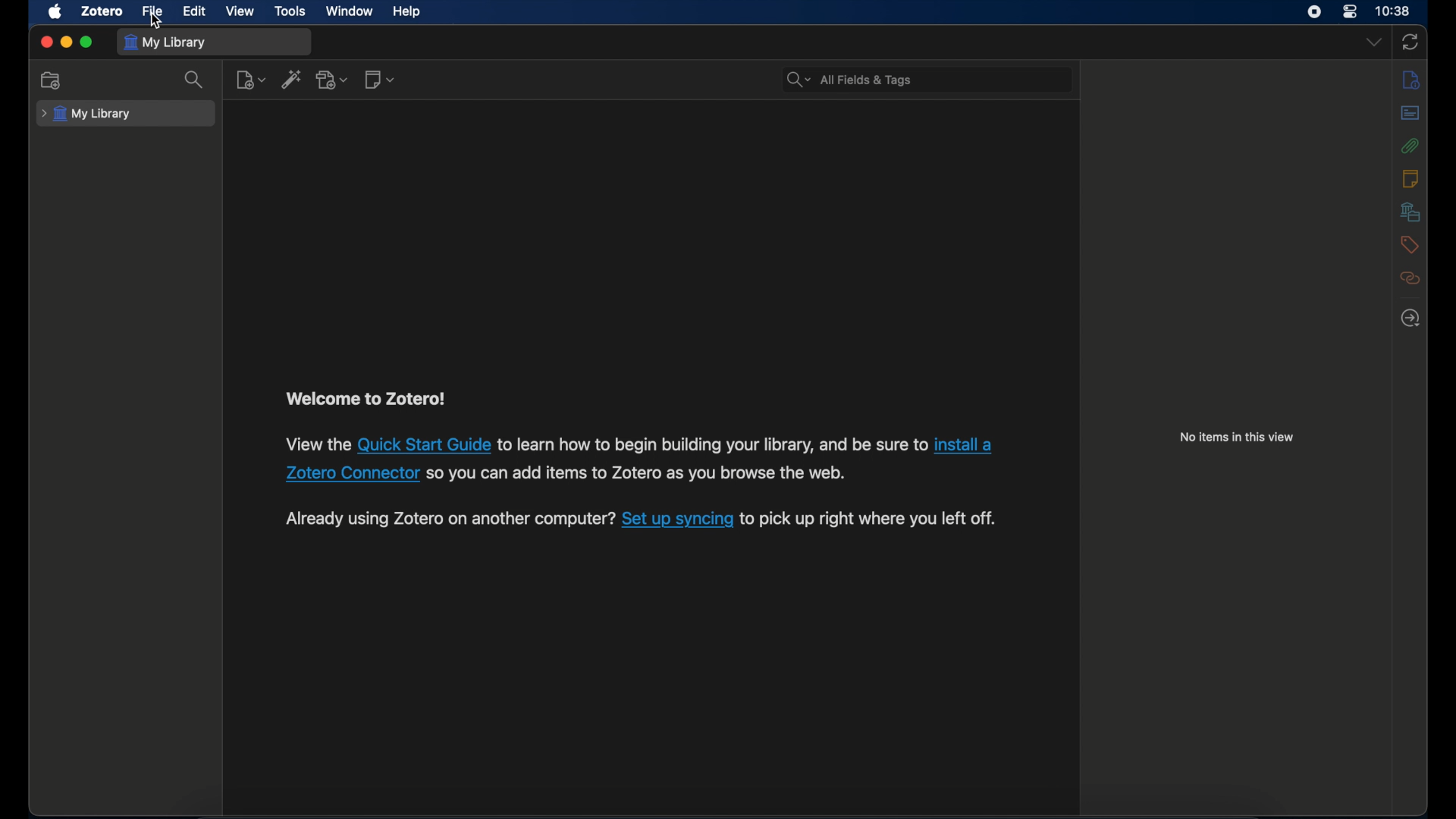 This screenshot has width=1456, height=819. What do you see at coordinates (408, 12) in the screenshot?
I see `help` at bounding box center [408, 12].